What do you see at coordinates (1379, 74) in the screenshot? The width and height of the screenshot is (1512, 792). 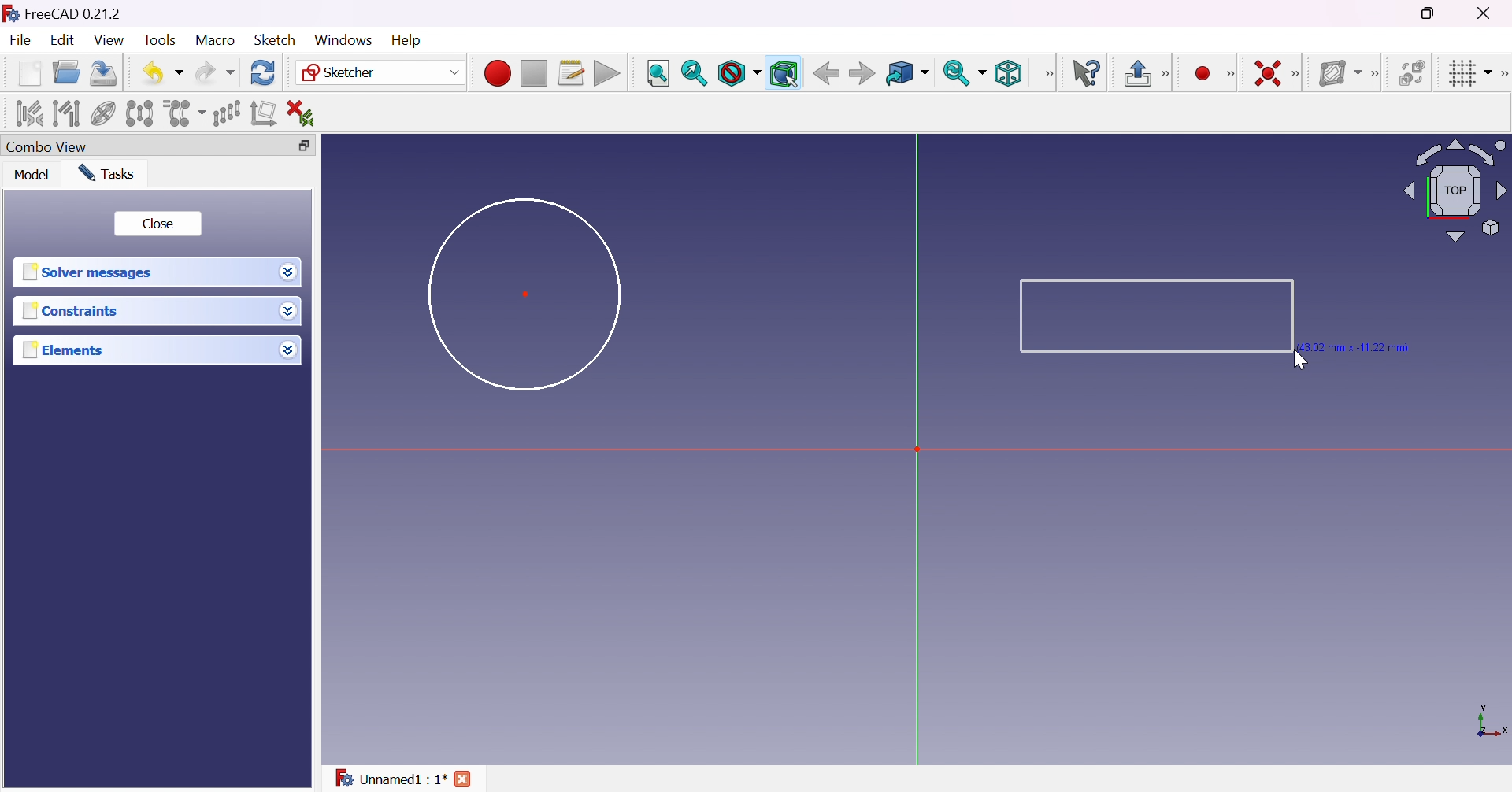 I see `[Sketcher B-spline tools]]` at bounding box center [1379, 74].